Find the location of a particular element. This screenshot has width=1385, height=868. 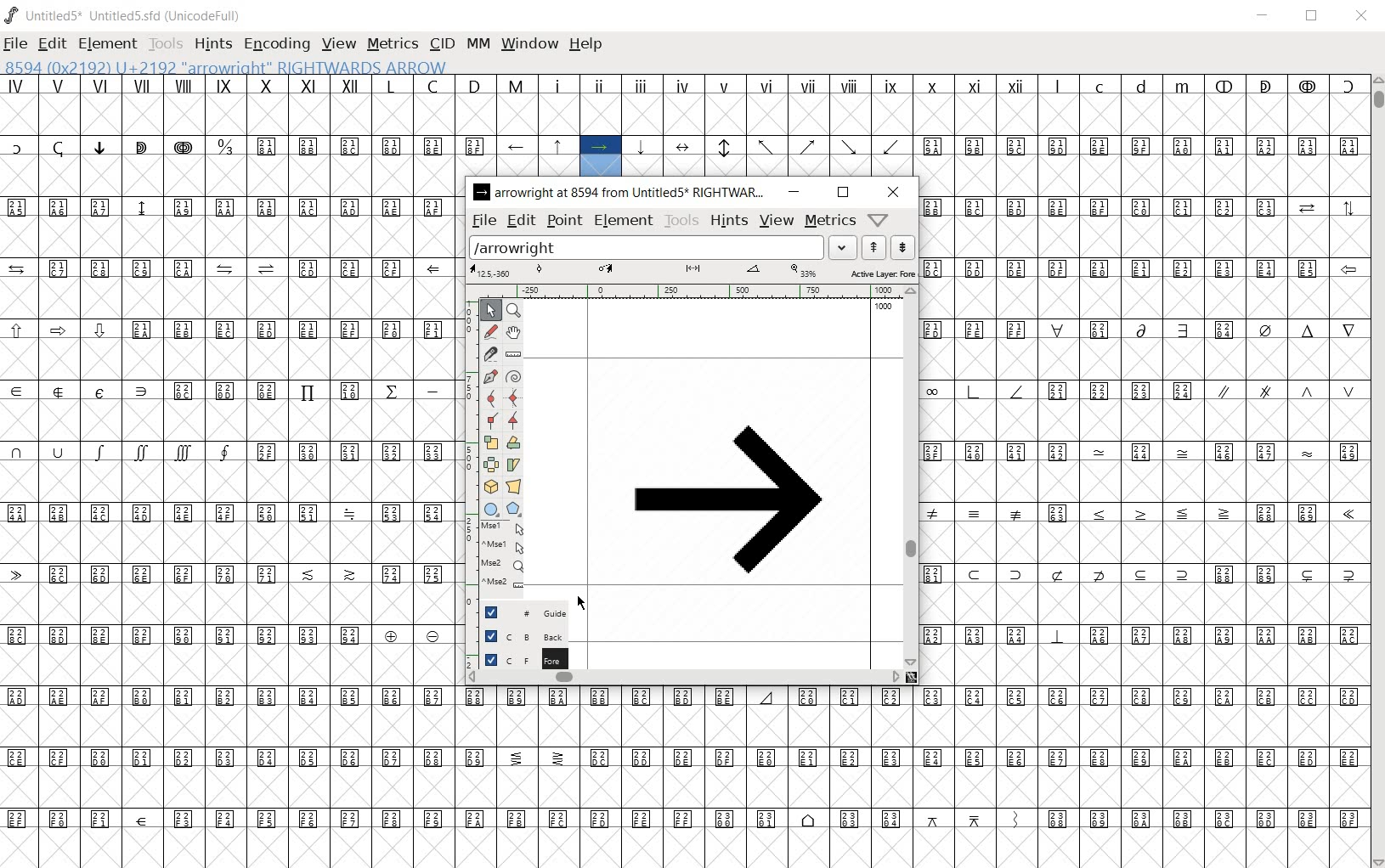

MM is located at coordinates (480, 45).